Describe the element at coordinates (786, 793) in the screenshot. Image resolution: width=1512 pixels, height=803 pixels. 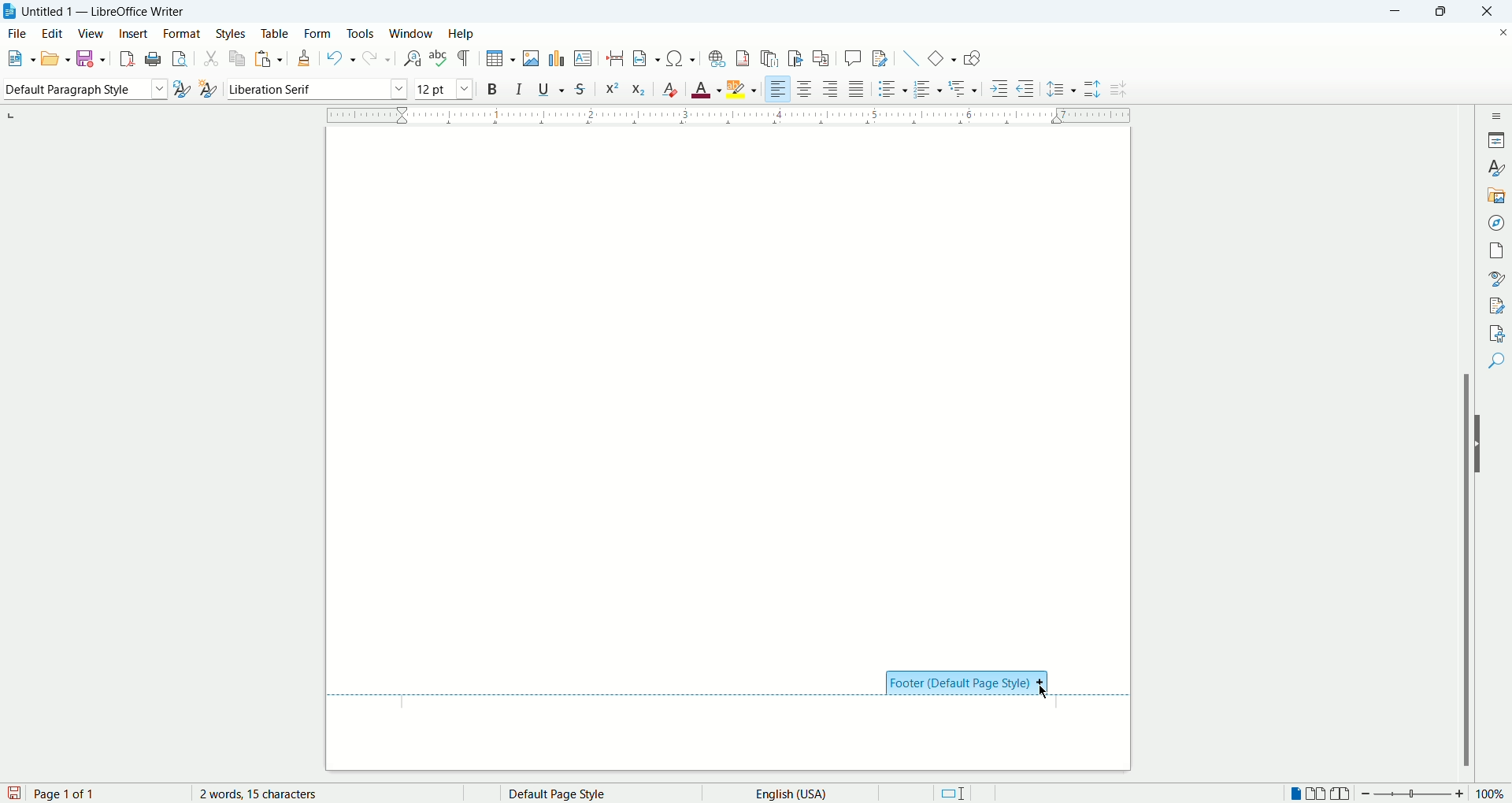
I see `text language` at that location.